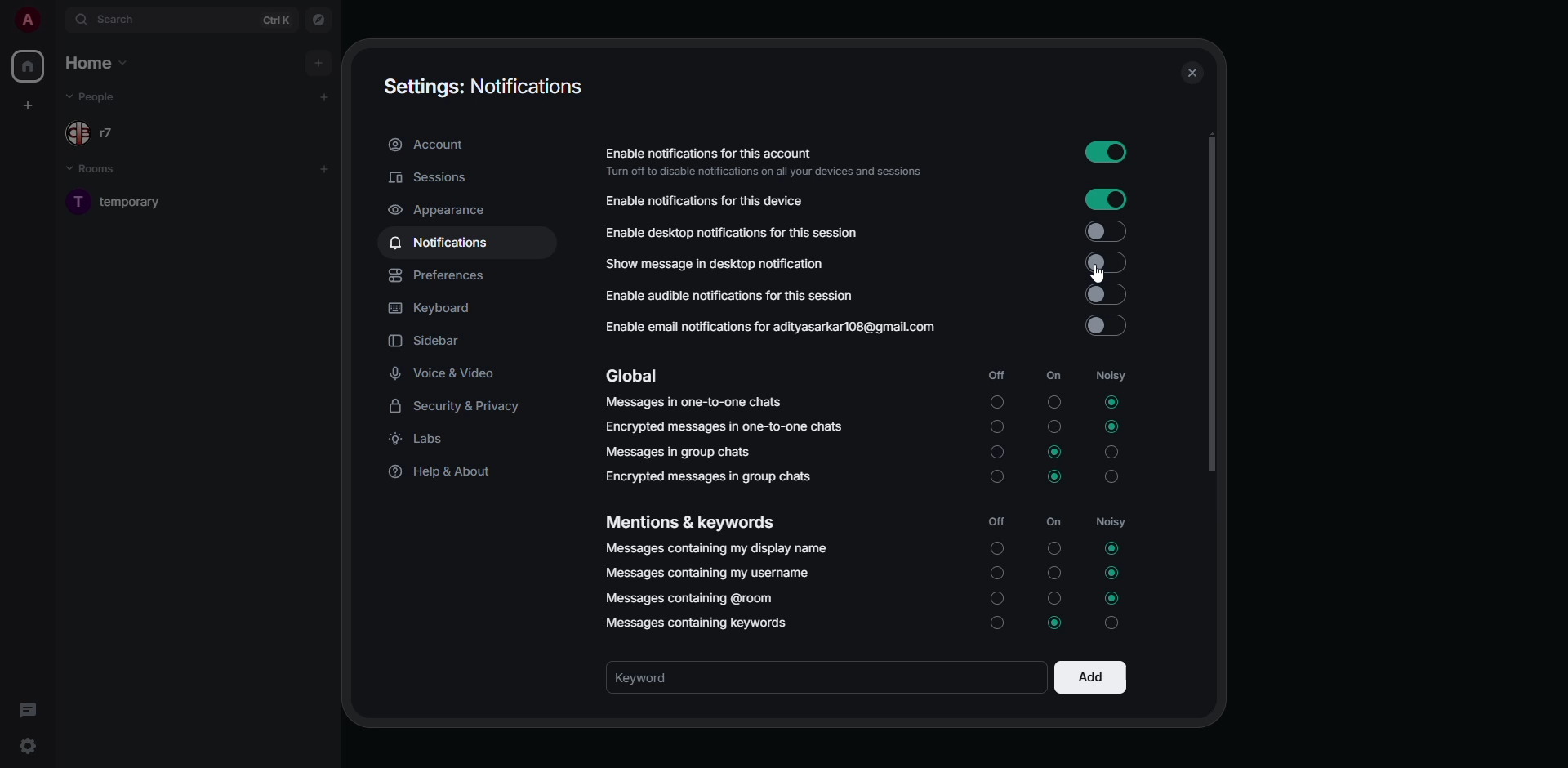 The height and width of the screenshot is (768, 1568). Describe the element at coordinates (1209, 302) in the screenshot. I see `scroll bar` at that location.